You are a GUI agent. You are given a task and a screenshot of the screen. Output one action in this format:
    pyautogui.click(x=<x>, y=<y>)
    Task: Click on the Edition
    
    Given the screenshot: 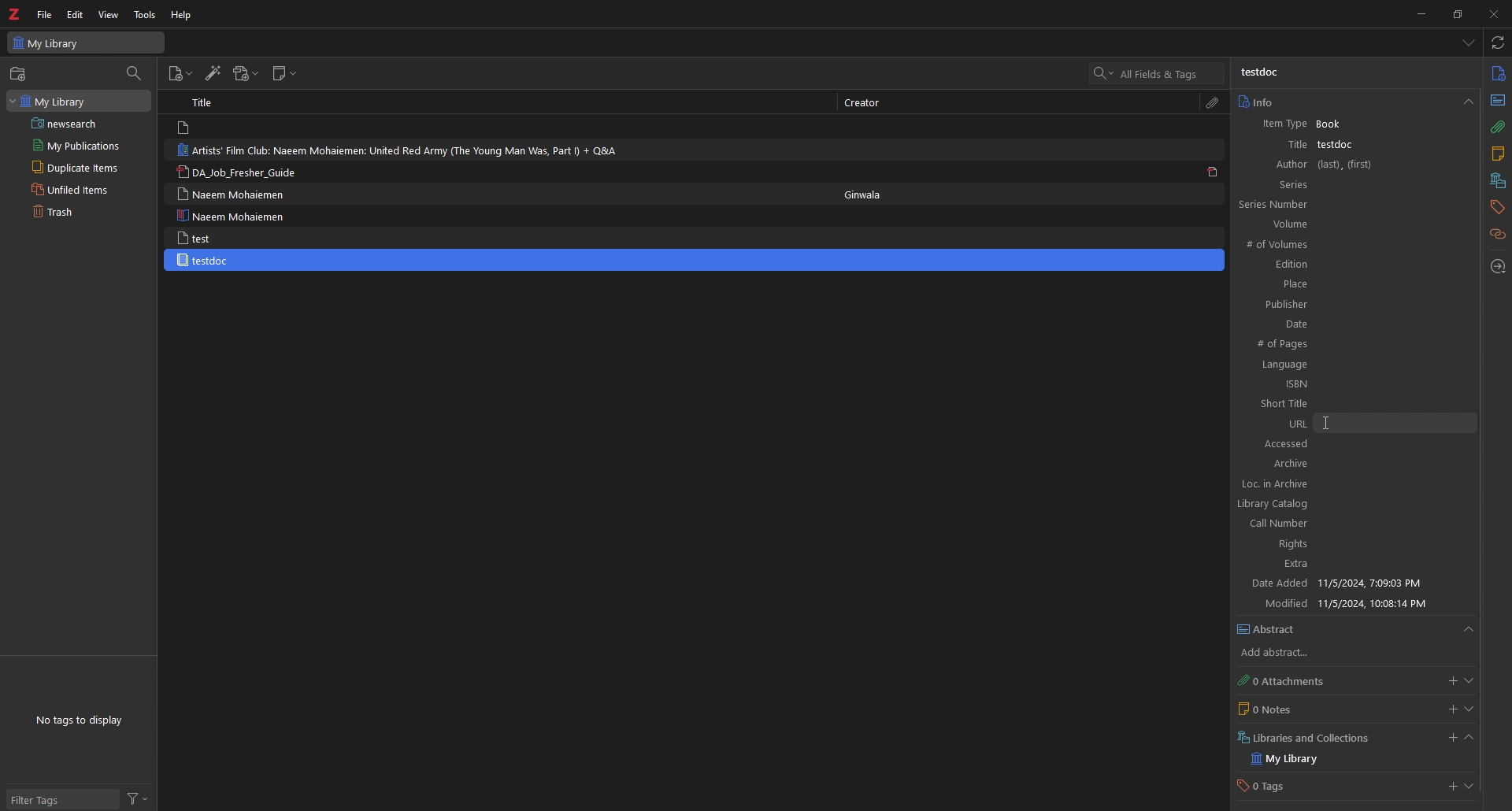 What is the action you would take?
    pyautogui.click(x=1326, y=265)
    